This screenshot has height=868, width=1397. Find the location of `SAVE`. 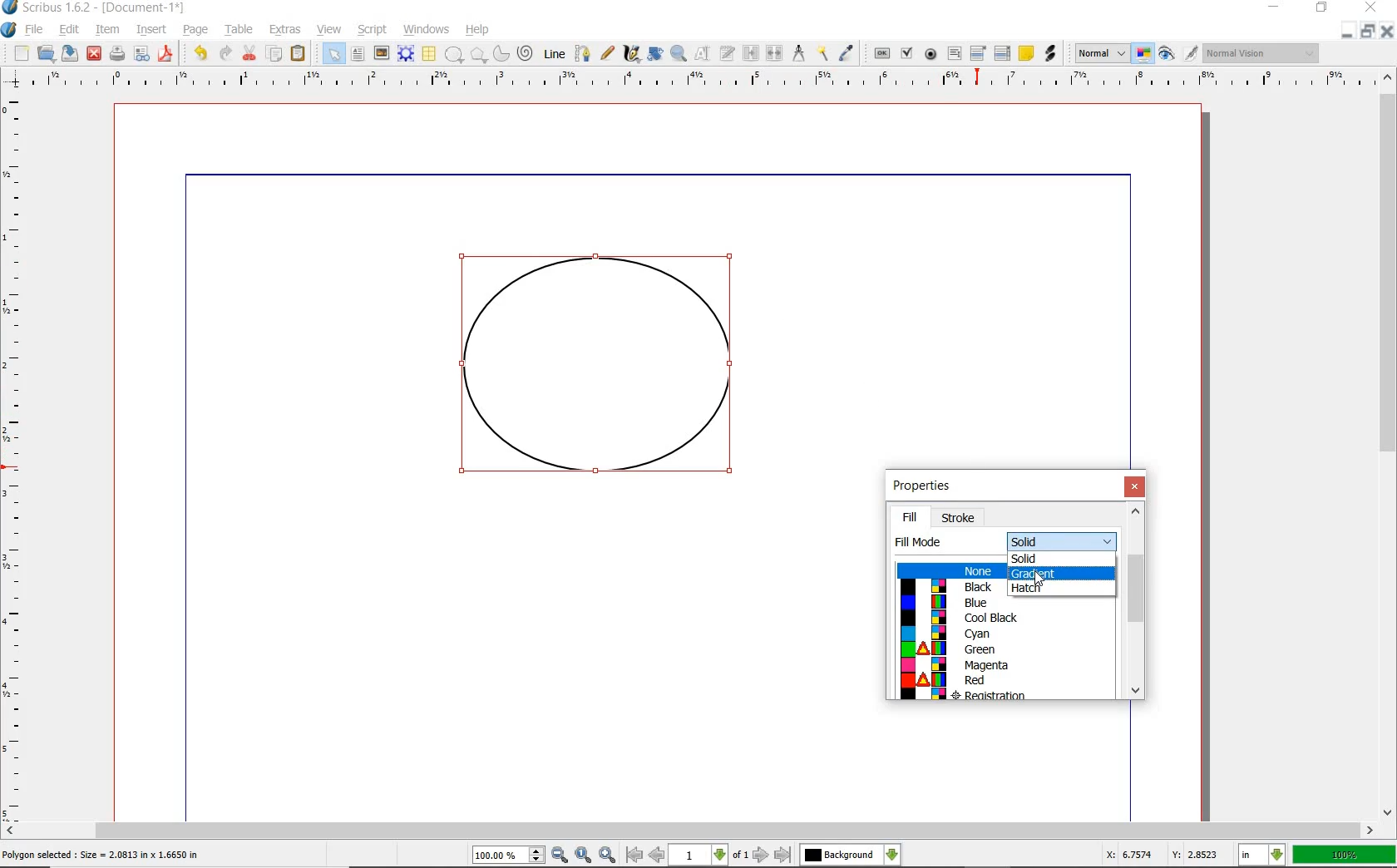

SAVE is located at coordinates (70, 53).